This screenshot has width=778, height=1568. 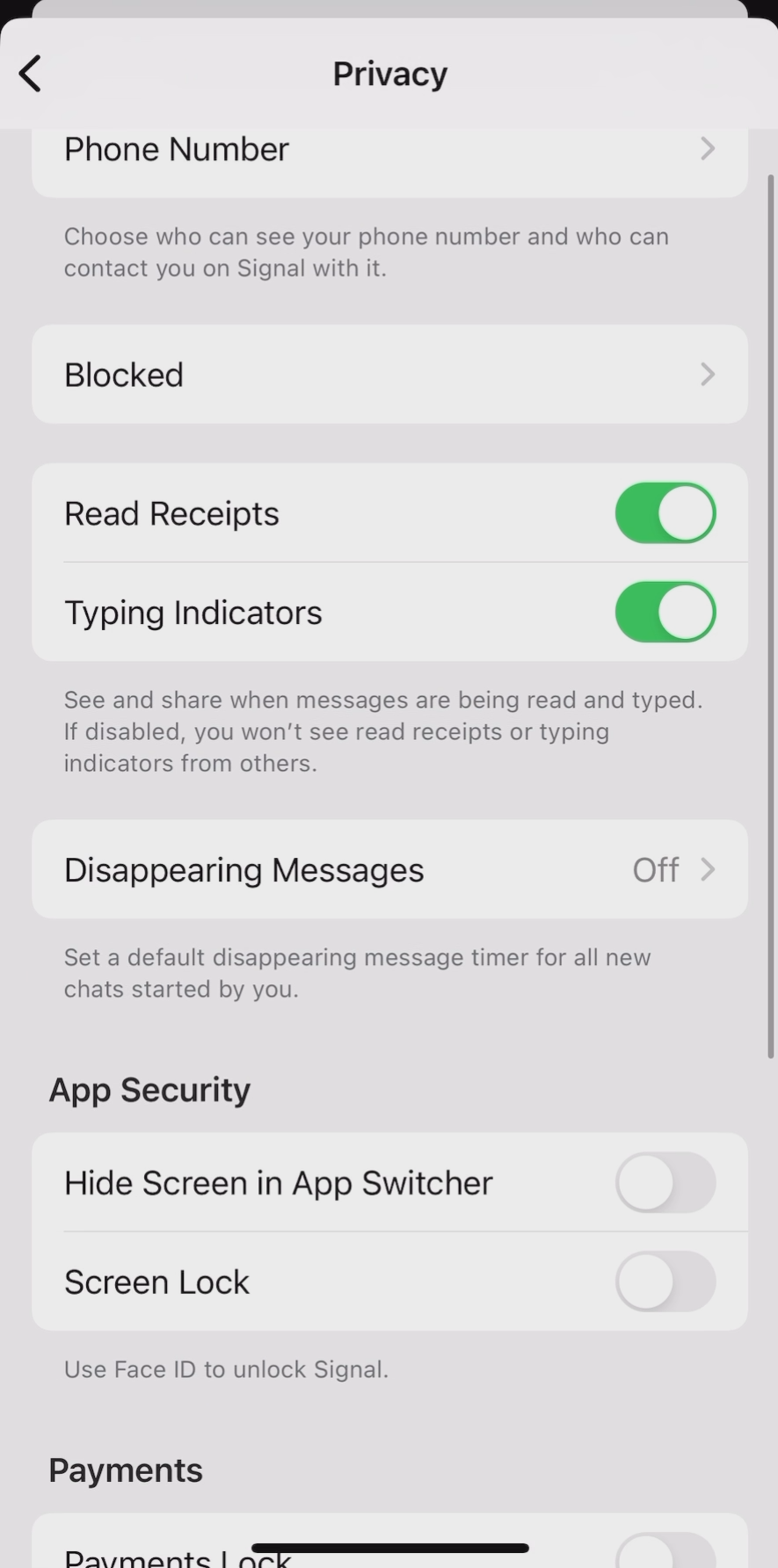 I want to click on screen lock disabled, so click(x=390, y=1283).